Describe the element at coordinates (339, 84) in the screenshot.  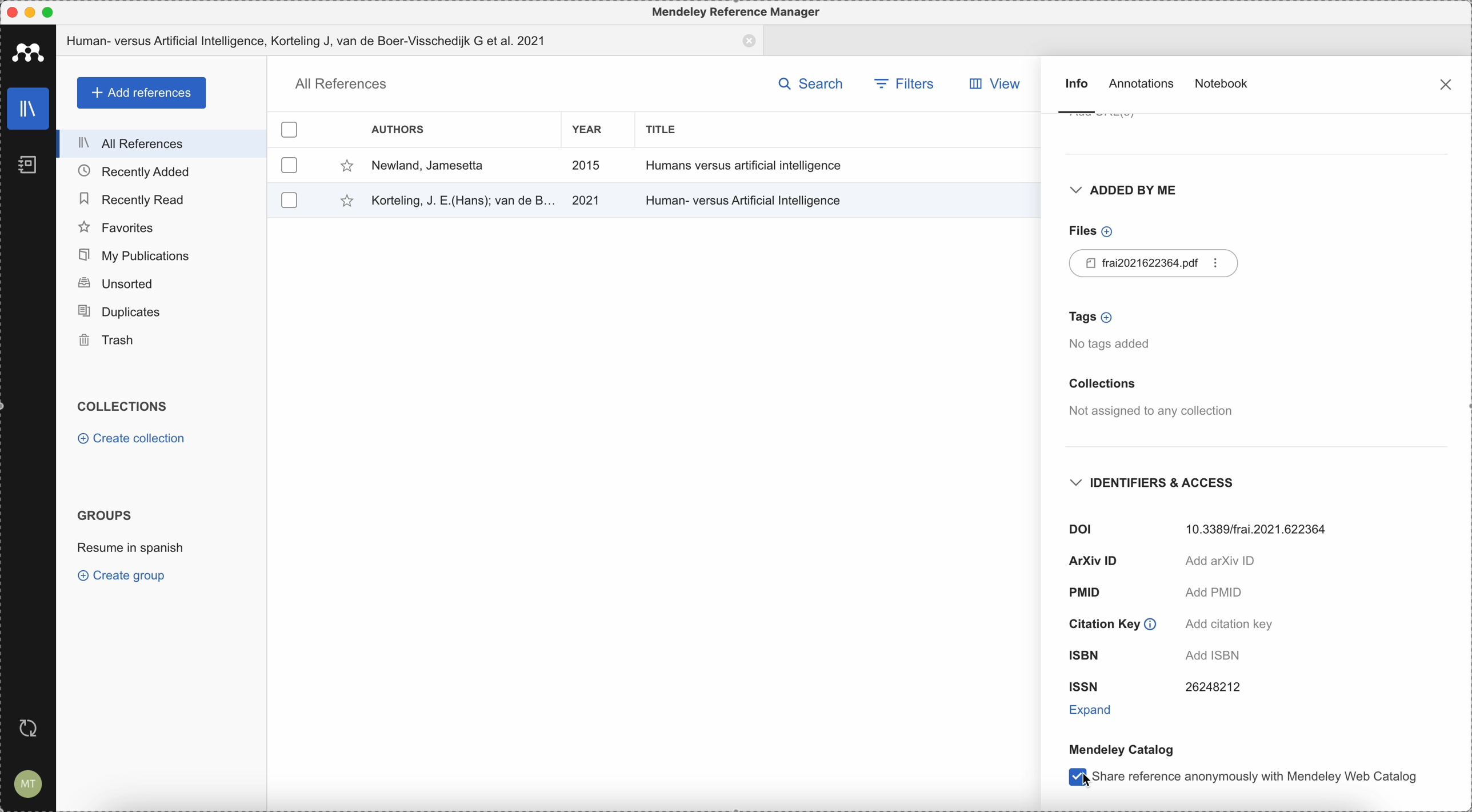
I see `all references` at that location.